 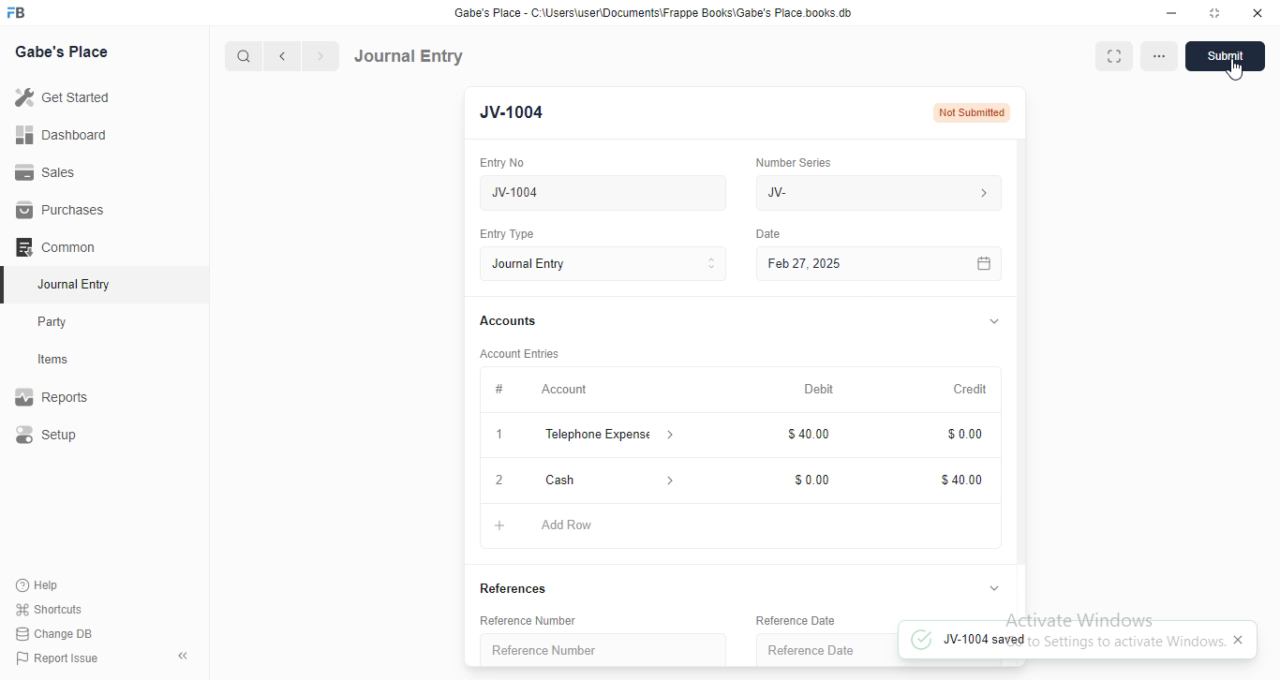 I want to click on More options, so click(x=1156, y=56).